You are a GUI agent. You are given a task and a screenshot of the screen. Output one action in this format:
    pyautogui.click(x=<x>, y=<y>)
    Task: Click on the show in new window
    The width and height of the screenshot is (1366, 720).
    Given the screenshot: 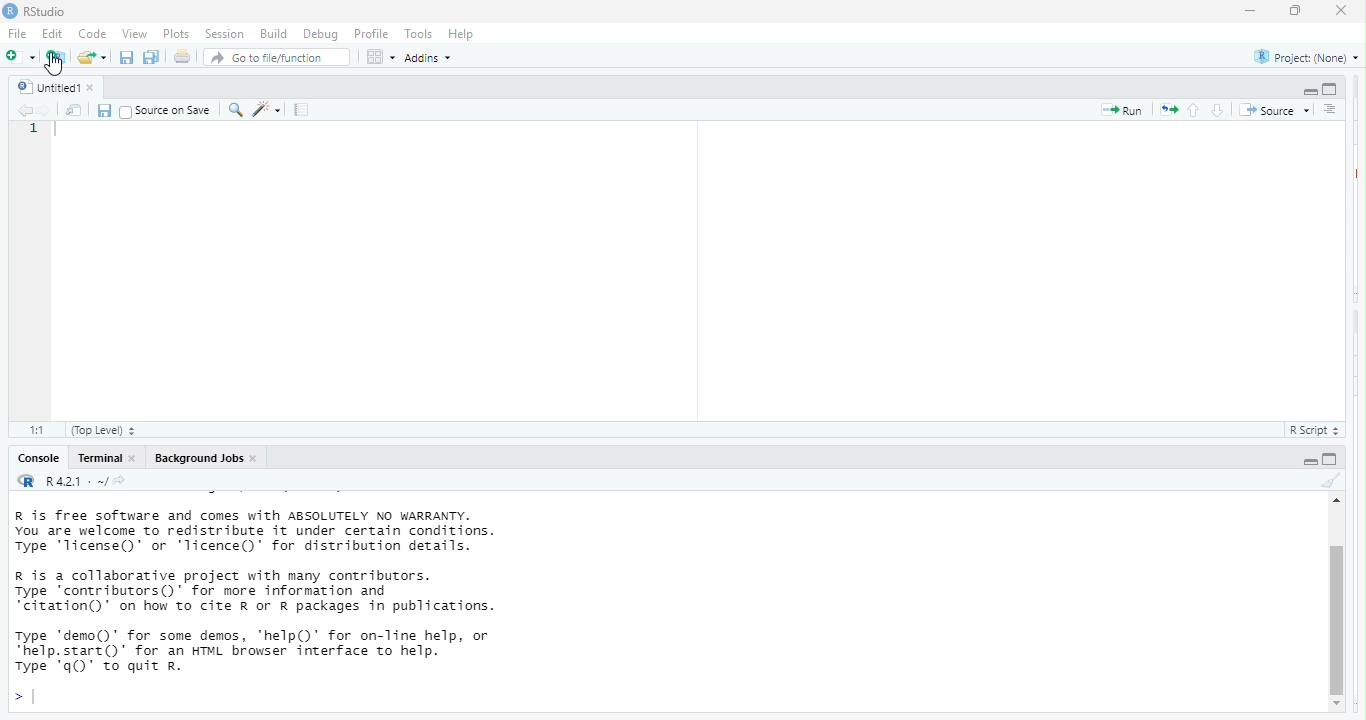 What is the action you would take?
    pyautogui.click(x=72, y=111)
    